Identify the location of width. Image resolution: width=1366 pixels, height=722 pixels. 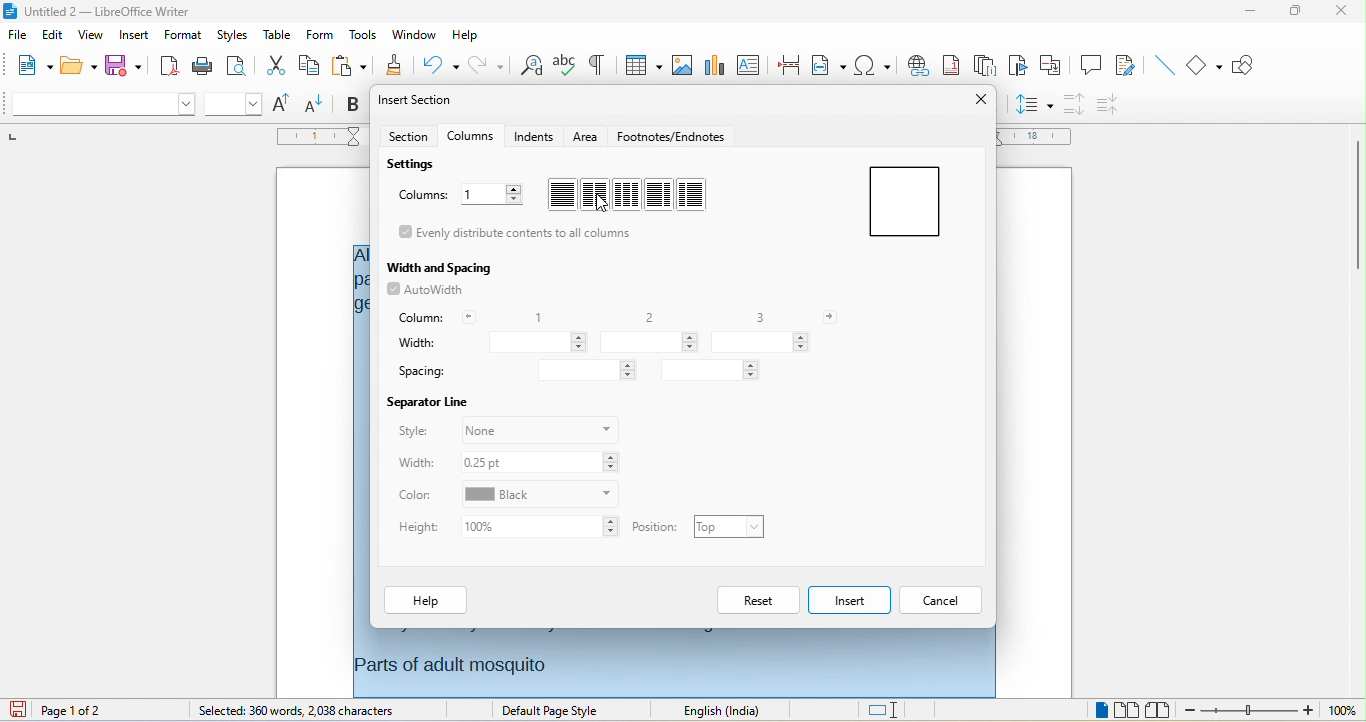
(417, 342).